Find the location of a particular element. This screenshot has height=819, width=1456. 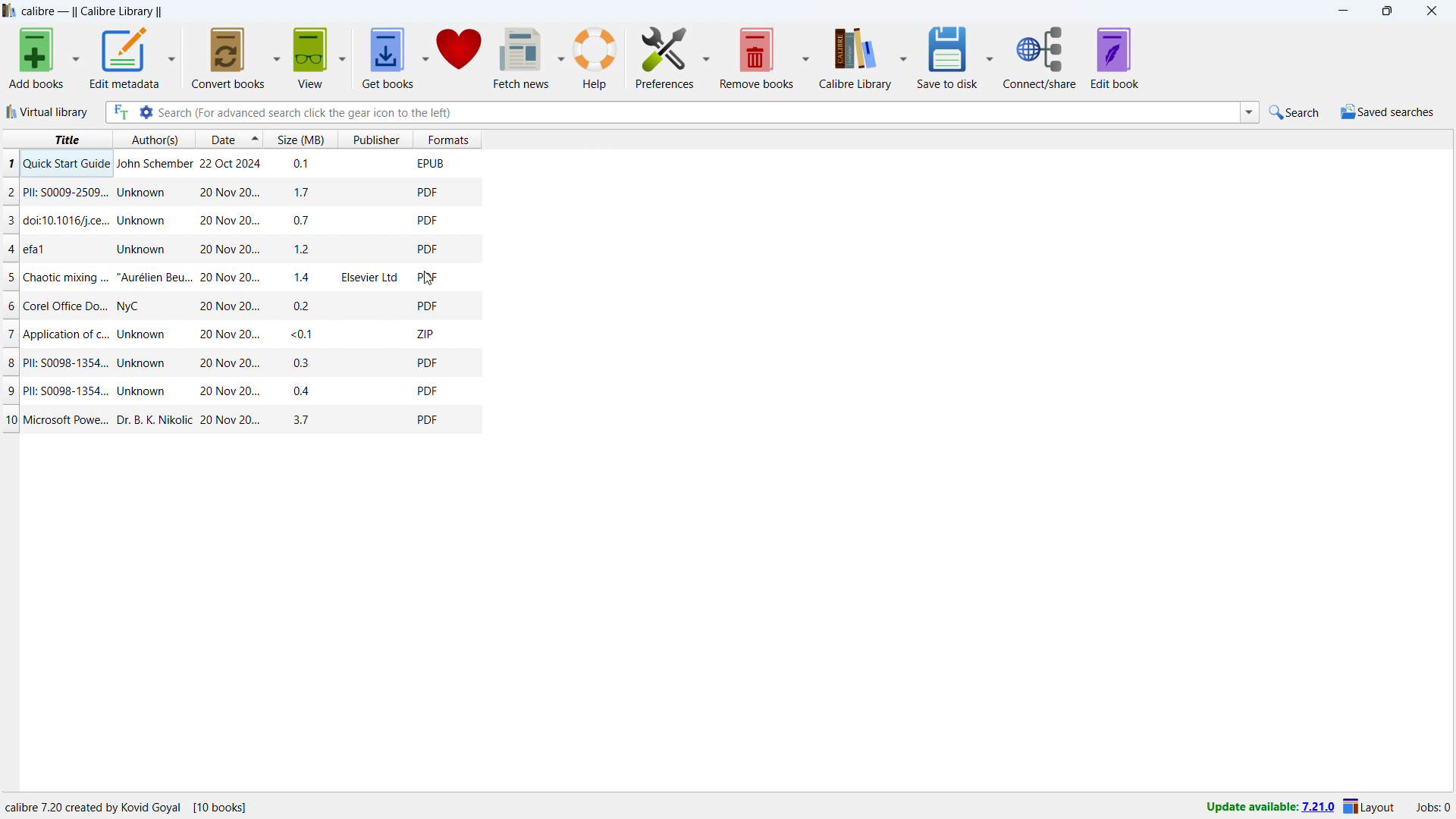

2 | PII: S0009-2509... Unknown 20 Nov 20... 17 PDF is located at coordinates (264, 193).